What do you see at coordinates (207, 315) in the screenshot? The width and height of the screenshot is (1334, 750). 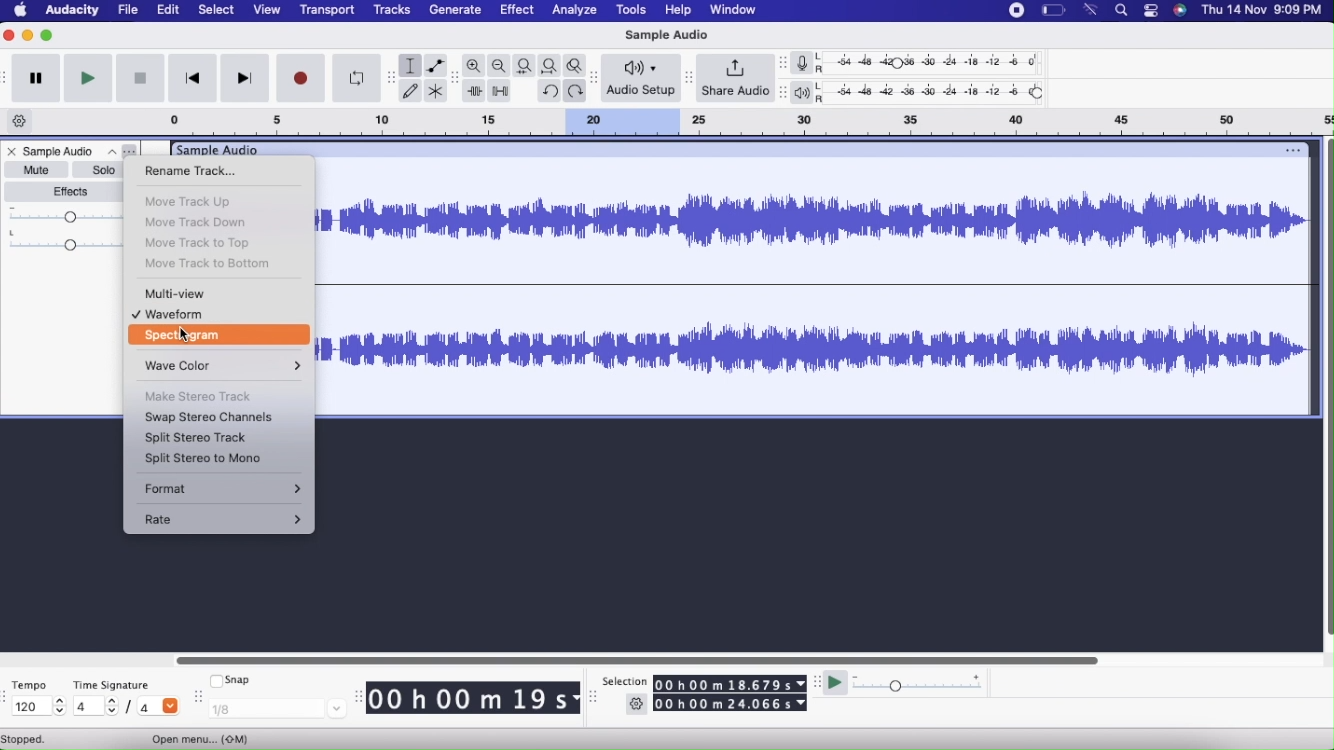 I see `Waveform` at bounding box center [207, 315].